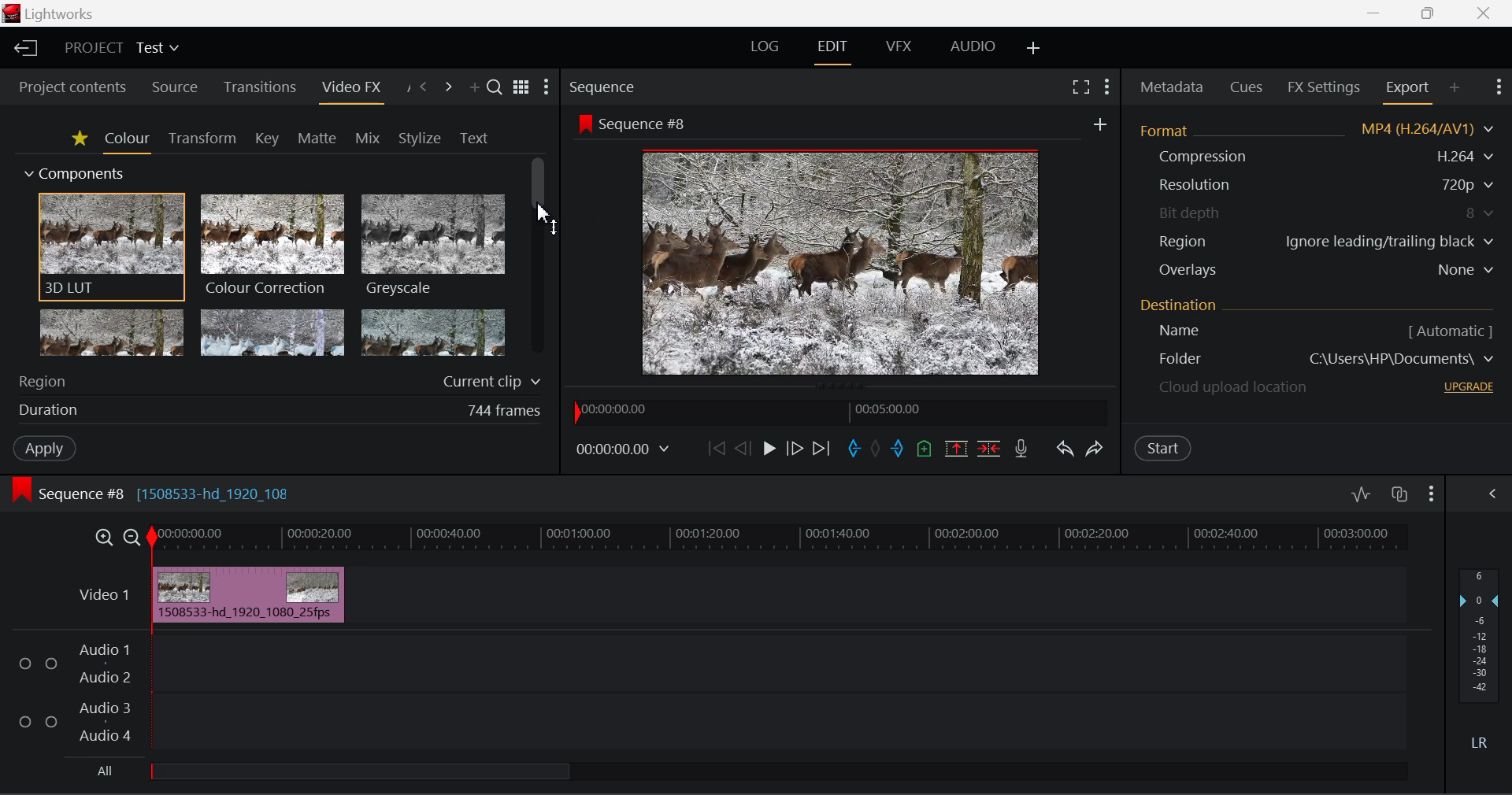 The image size is (1512, 795). I want to click on VFX Layout, so click(897, 48).